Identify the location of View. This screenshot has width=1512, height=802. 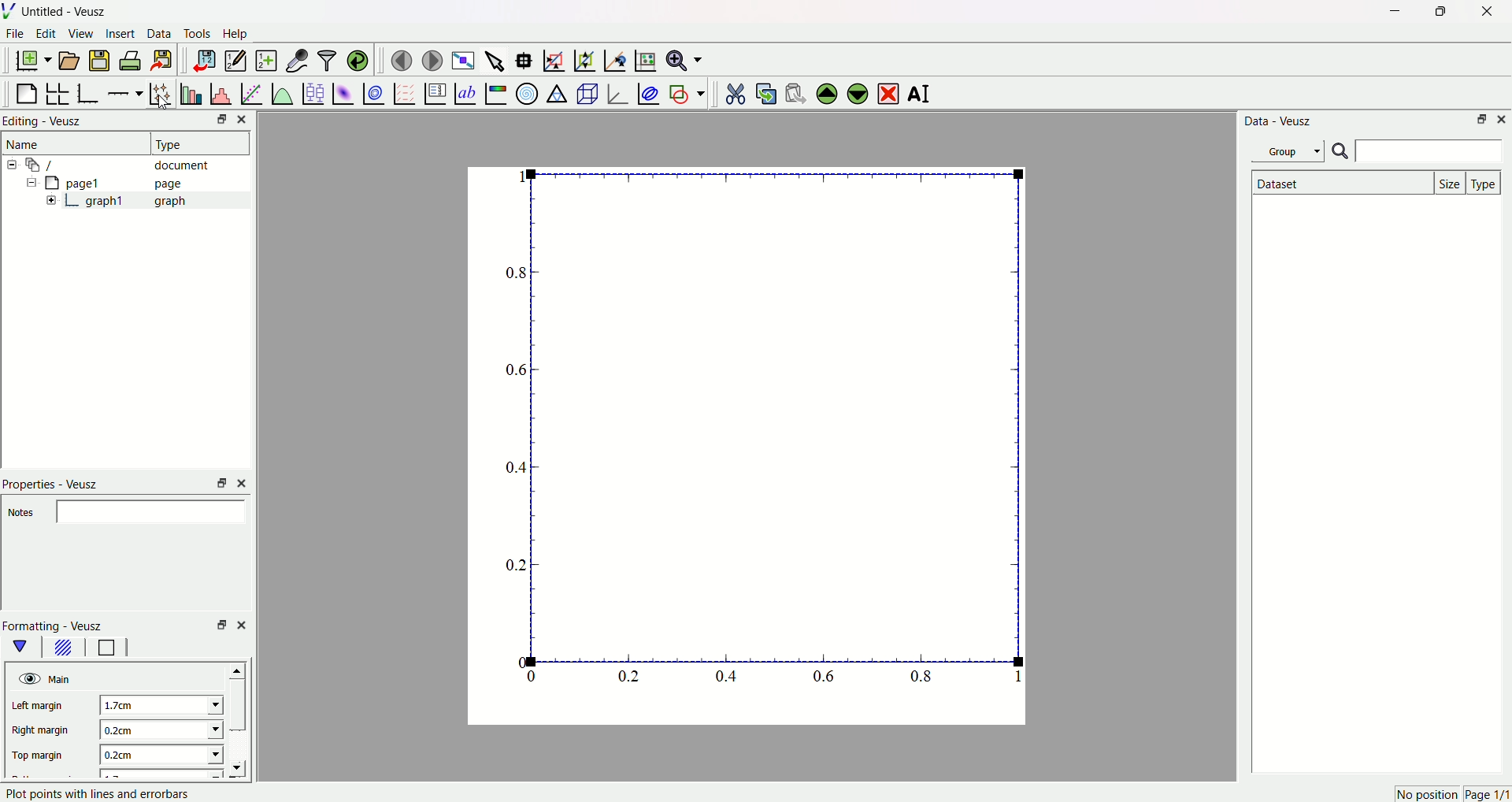
(81, 35).